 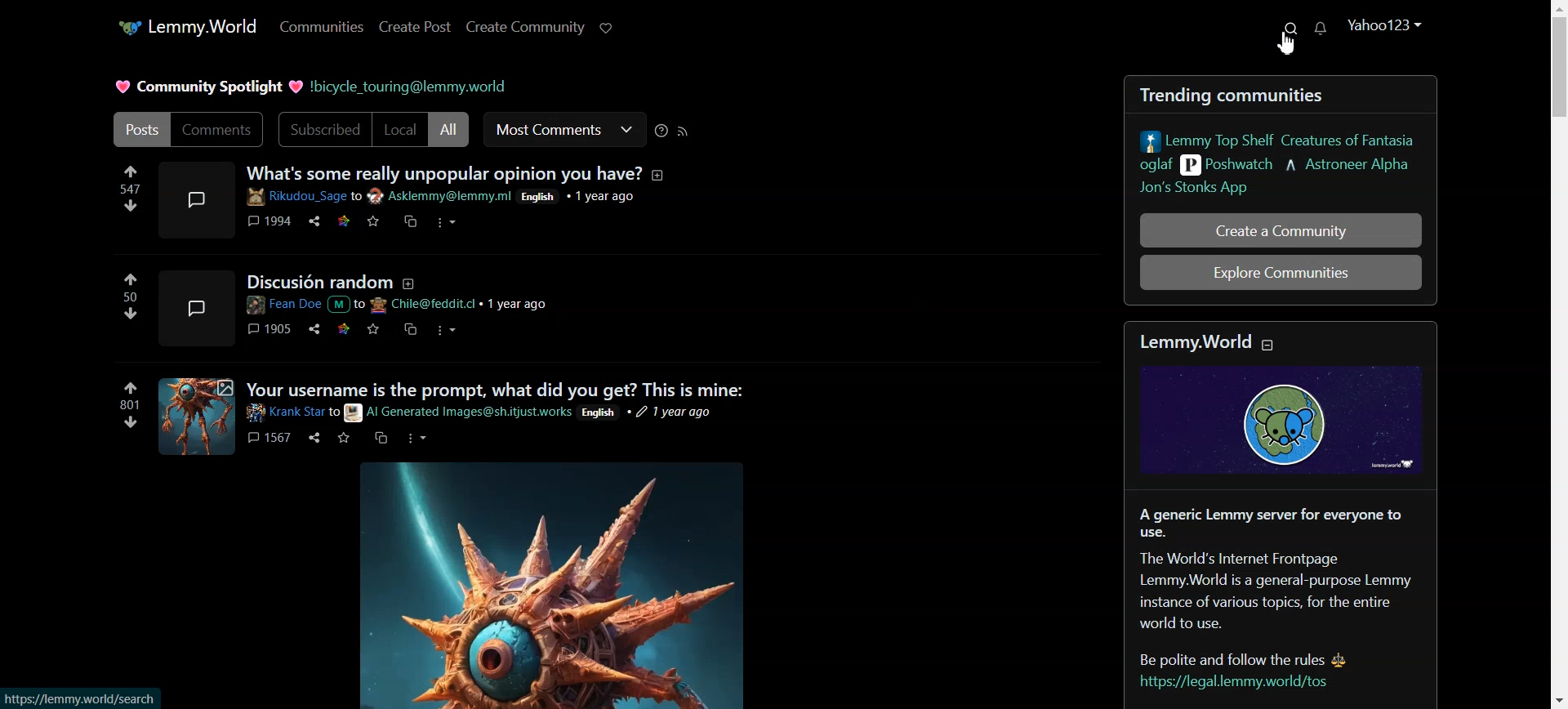 I want to click on RSS, so click(x=684, y=131).